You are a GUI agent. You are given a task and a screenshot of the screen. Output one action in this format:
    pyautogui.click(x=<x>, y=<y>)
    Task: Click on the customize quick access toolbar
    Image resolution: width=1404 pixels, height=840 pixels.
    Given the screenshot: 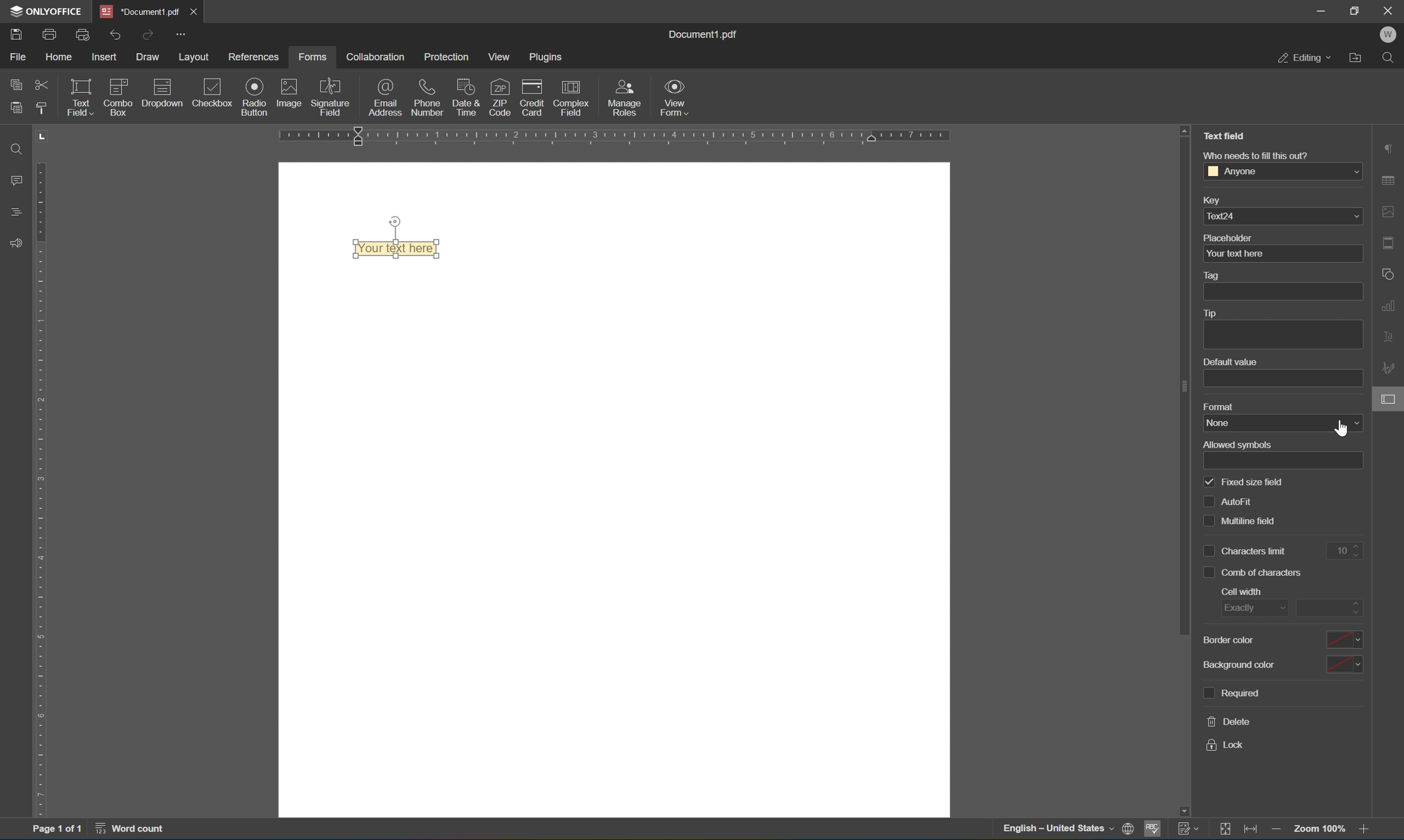 What is the action you would take?
    pyautogui.click(x=179, y=33)
    